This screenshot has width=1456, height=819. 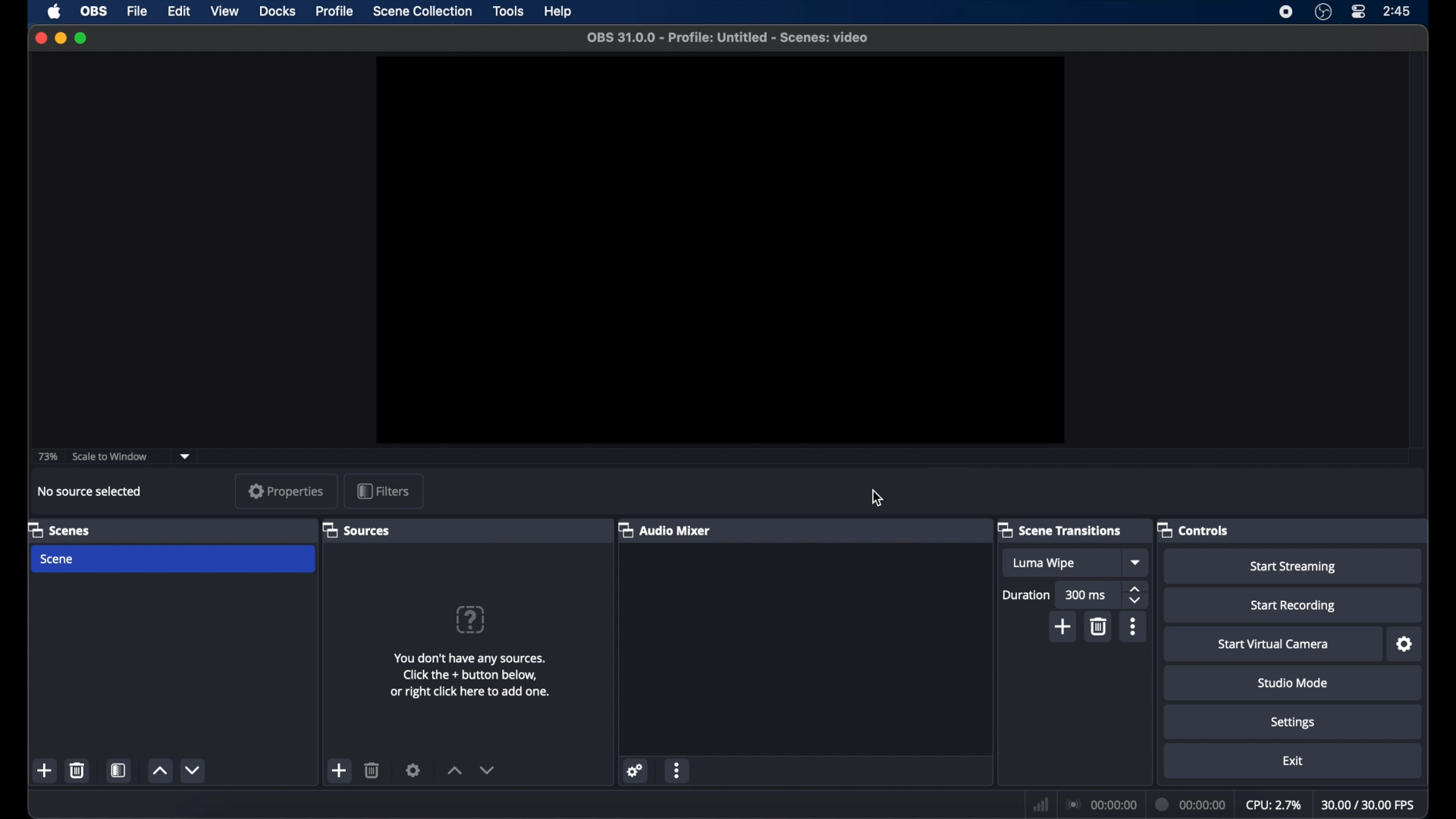 What do you see at coordinates (1397, 11) in the screenshot?
I see `time` at bounding box center [1397, 11].